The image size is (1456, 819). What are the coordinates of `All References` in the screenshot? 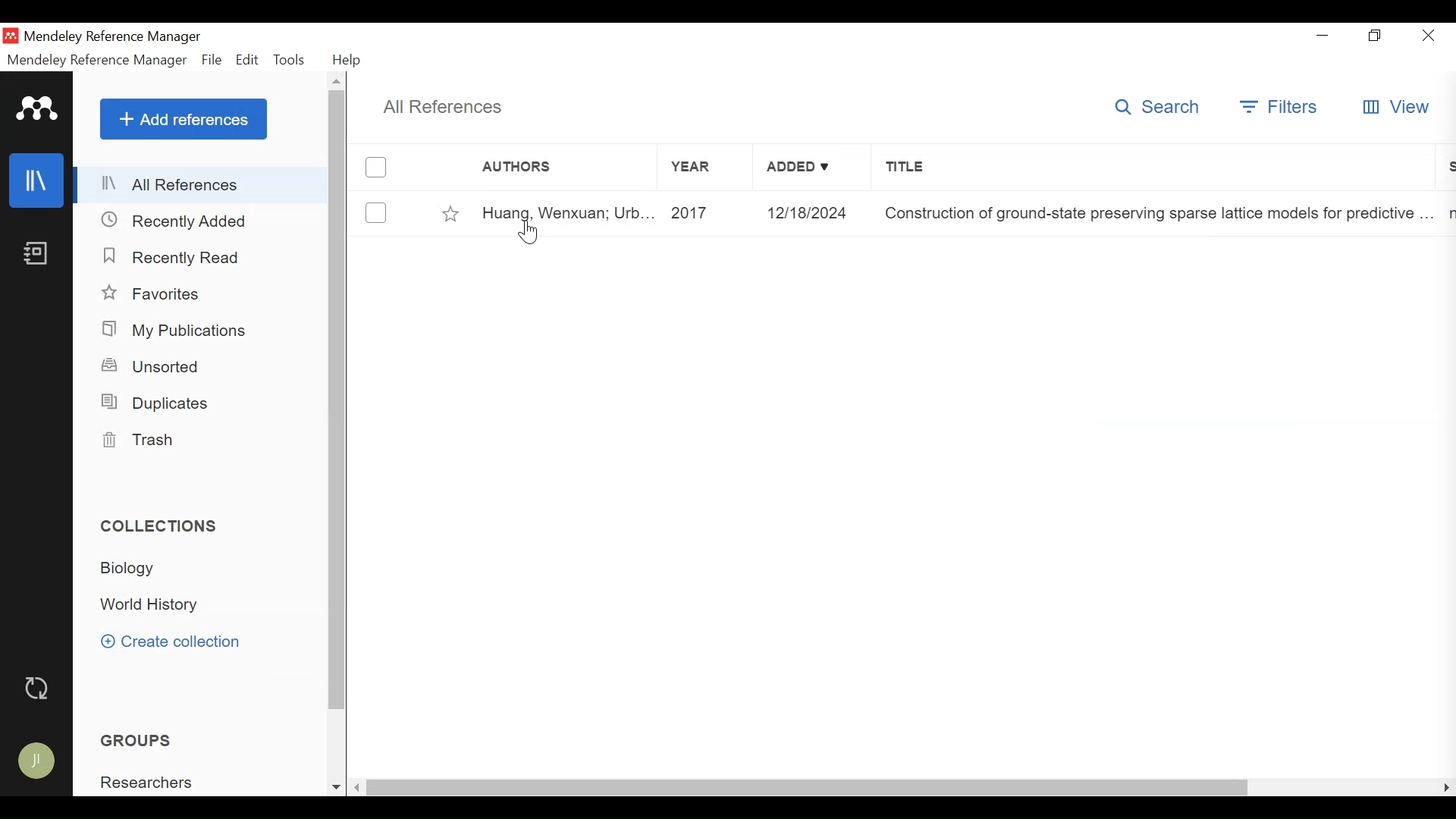 It's located at (202, 186).